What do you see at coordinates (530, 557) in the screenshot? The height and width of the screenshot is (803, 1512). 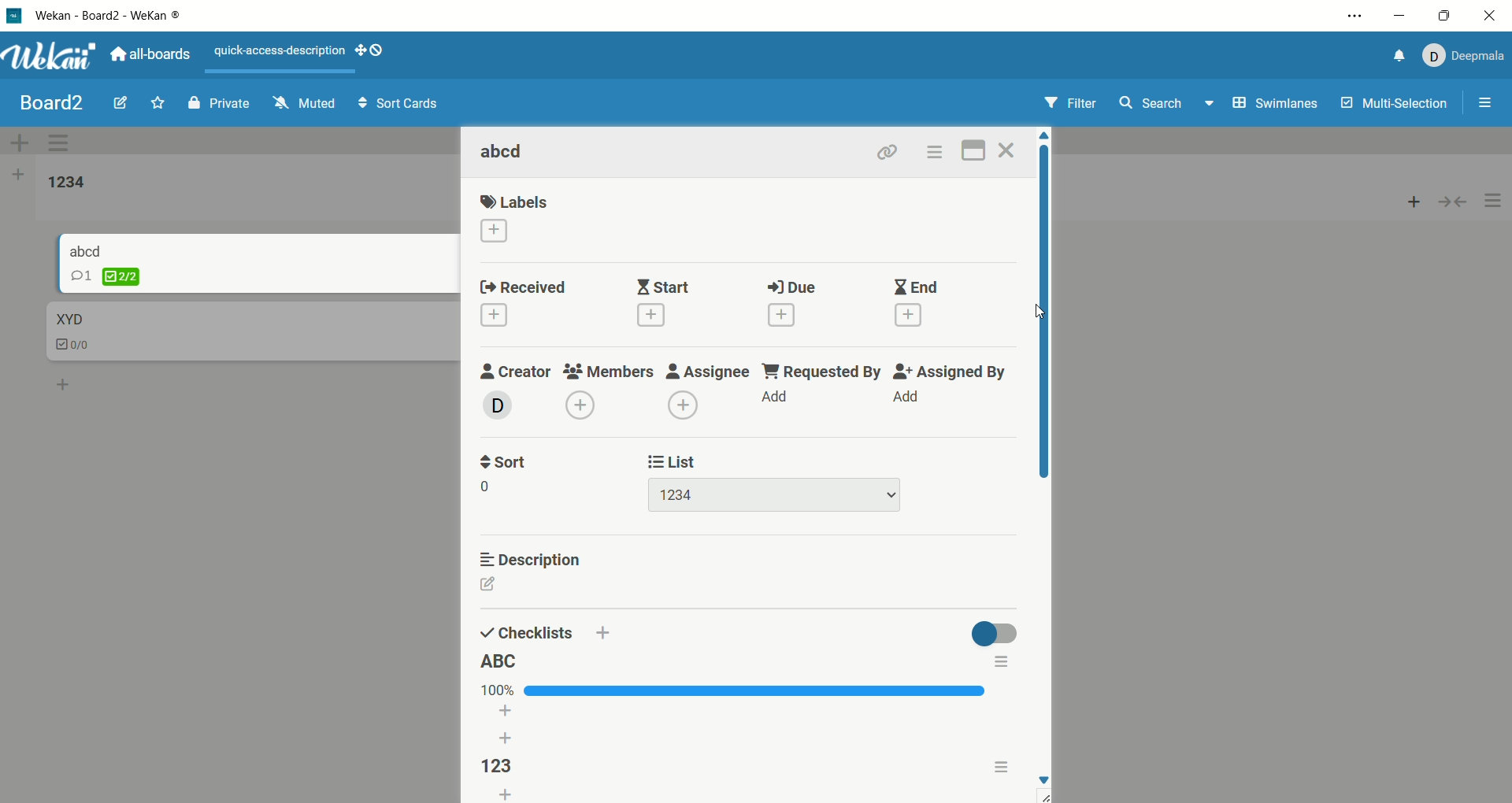 I see `description` at bounding box center [530, 557].